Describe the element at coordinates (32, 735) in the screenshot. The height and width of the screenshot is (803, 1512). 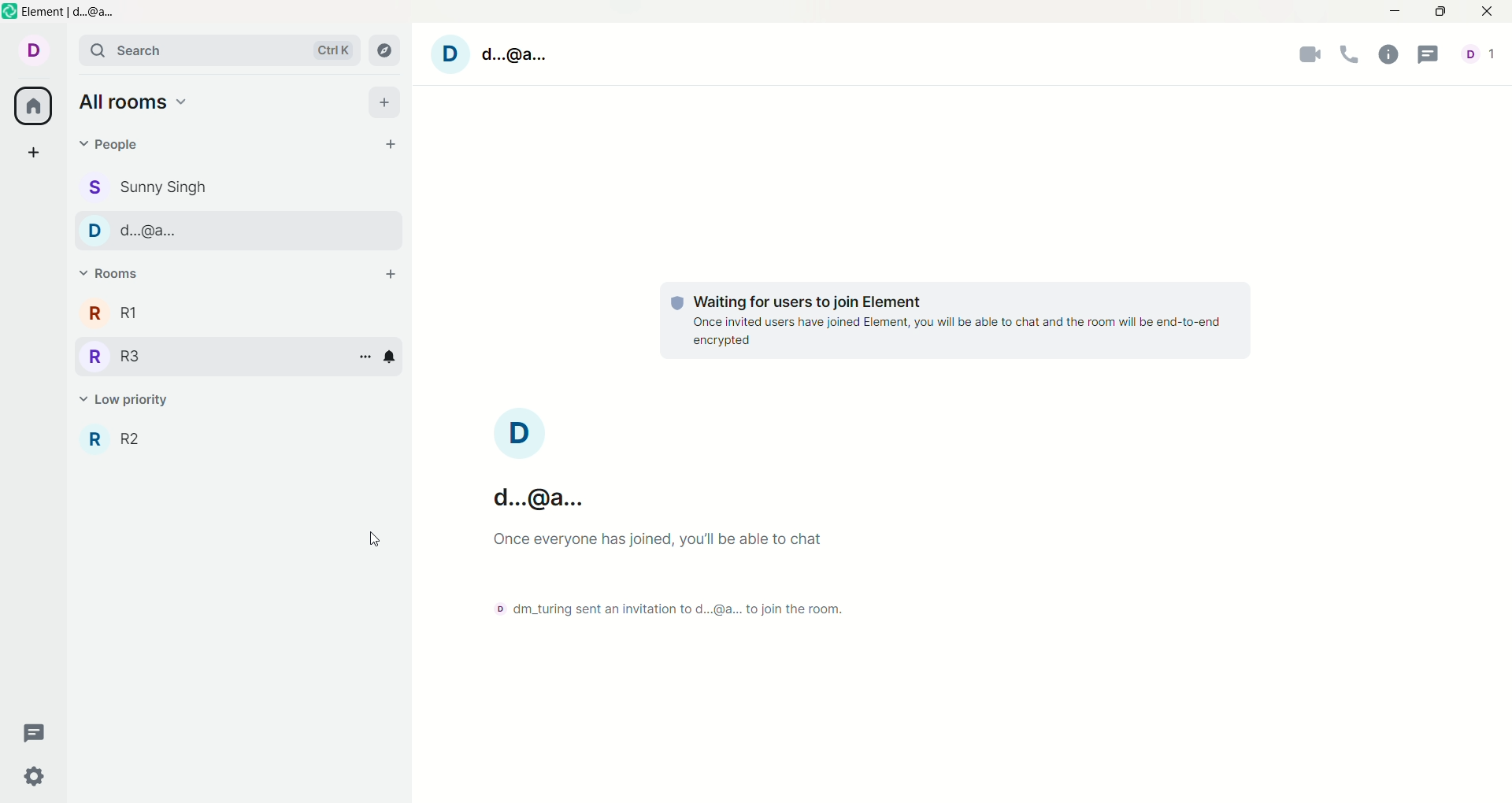
I see `threads` at that location.